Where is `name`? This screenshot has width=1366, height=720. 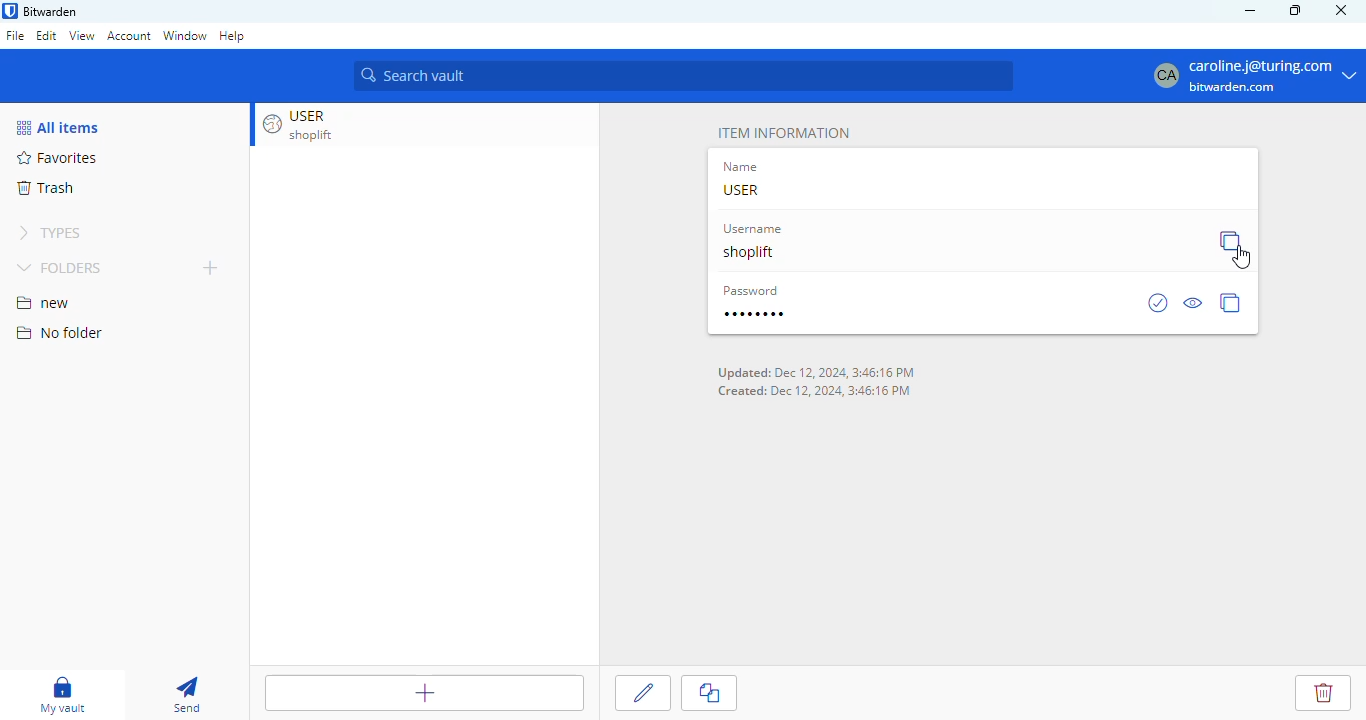 name is located at coordinates (742, 167).